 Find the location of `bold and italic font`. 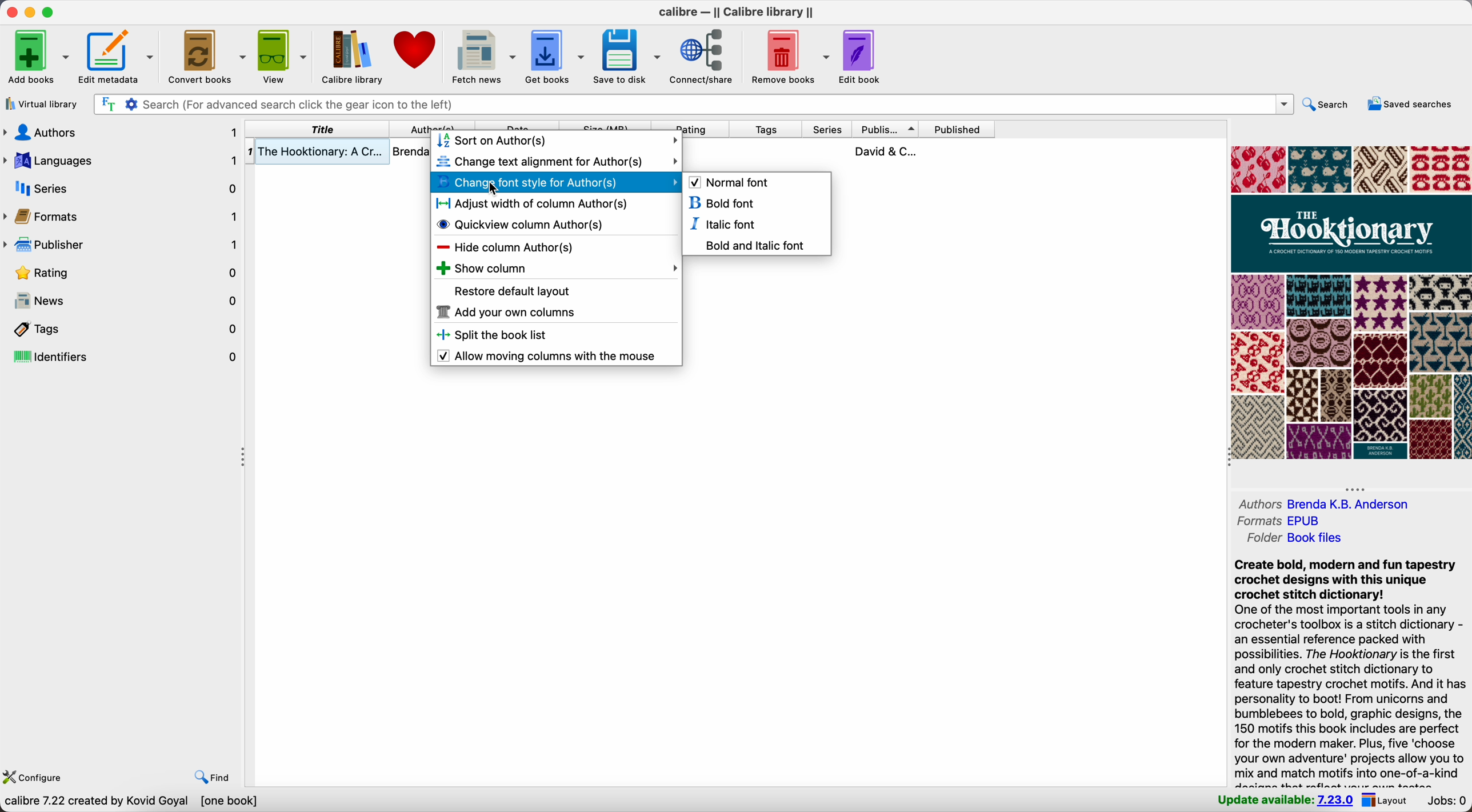

bold and italic font is located at coordinates (754, 244).